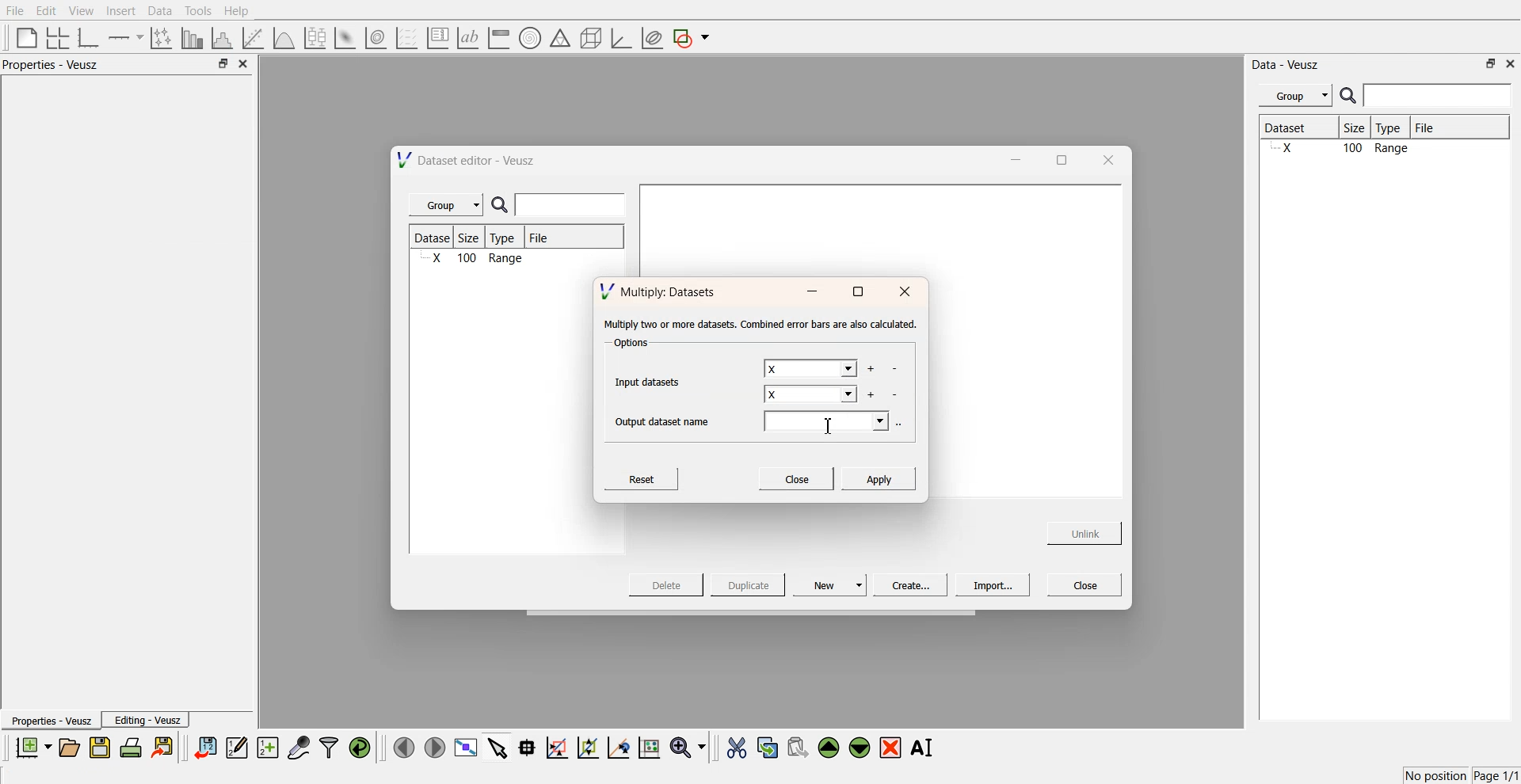 This screenshot has height=784, width=1521. What do you see at coordinates (507, 238) in the screenshot?
I see `Type` at bounding box center [507, 238].